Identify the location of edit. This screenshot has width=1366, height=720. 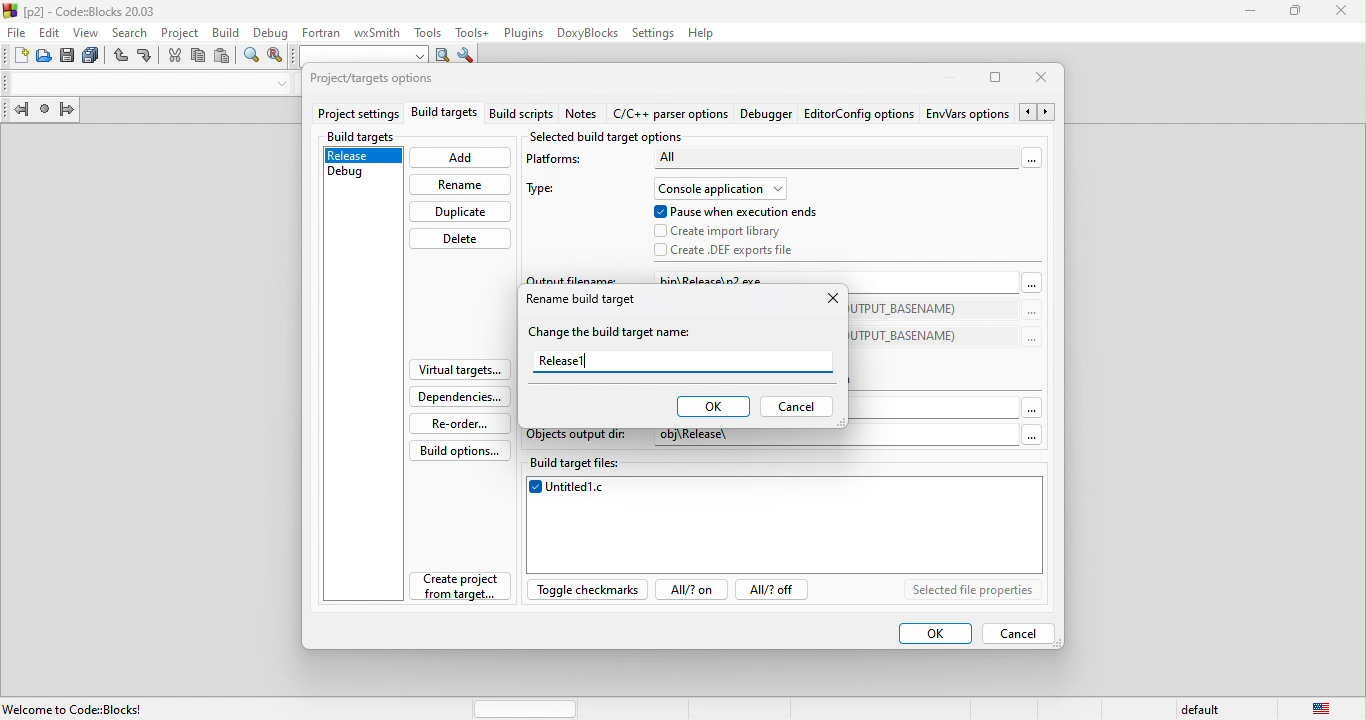
(50, 32).